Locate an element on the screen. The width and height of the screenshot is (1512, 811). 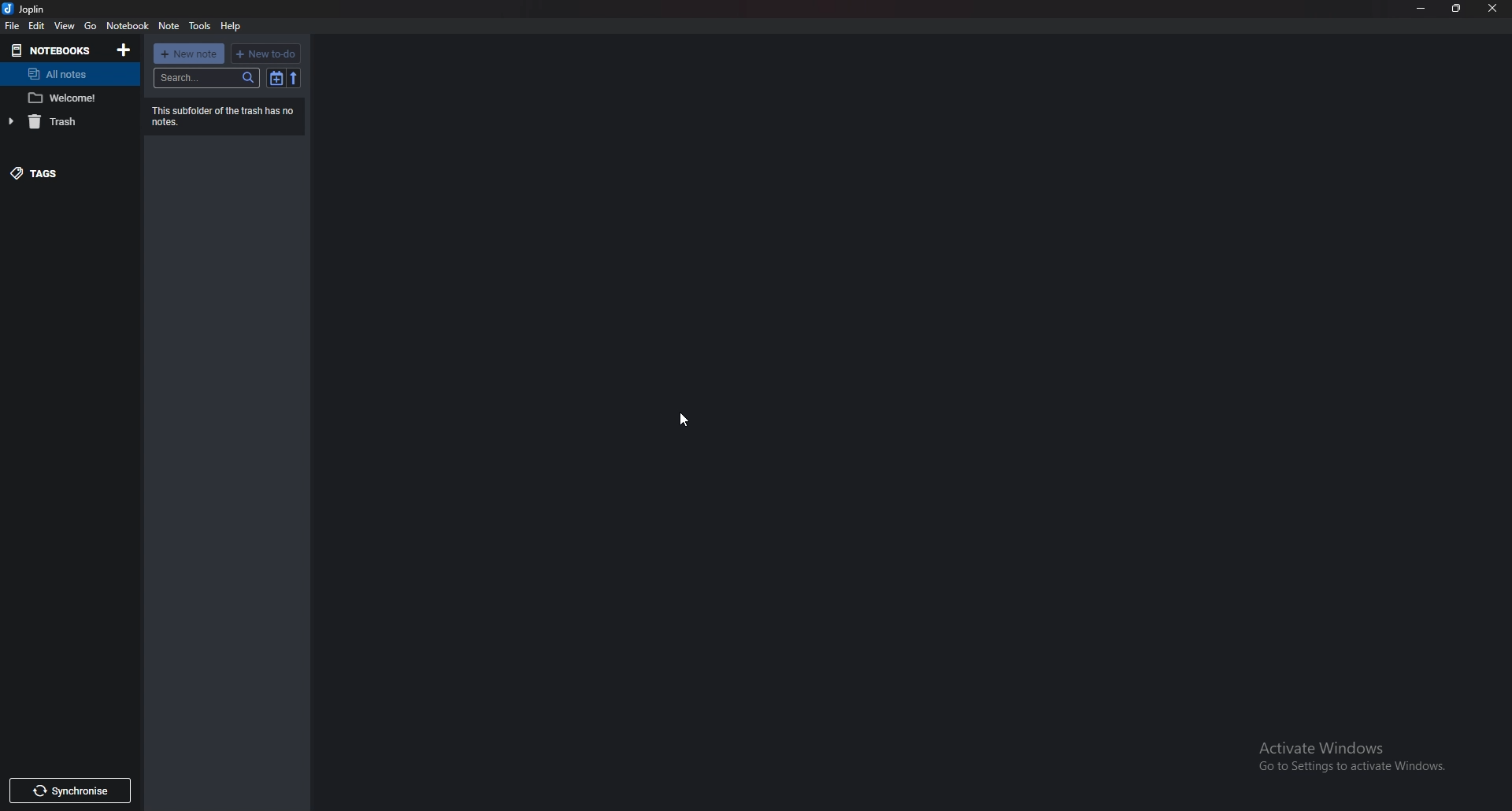
tags is located at coordinates (61, 172).